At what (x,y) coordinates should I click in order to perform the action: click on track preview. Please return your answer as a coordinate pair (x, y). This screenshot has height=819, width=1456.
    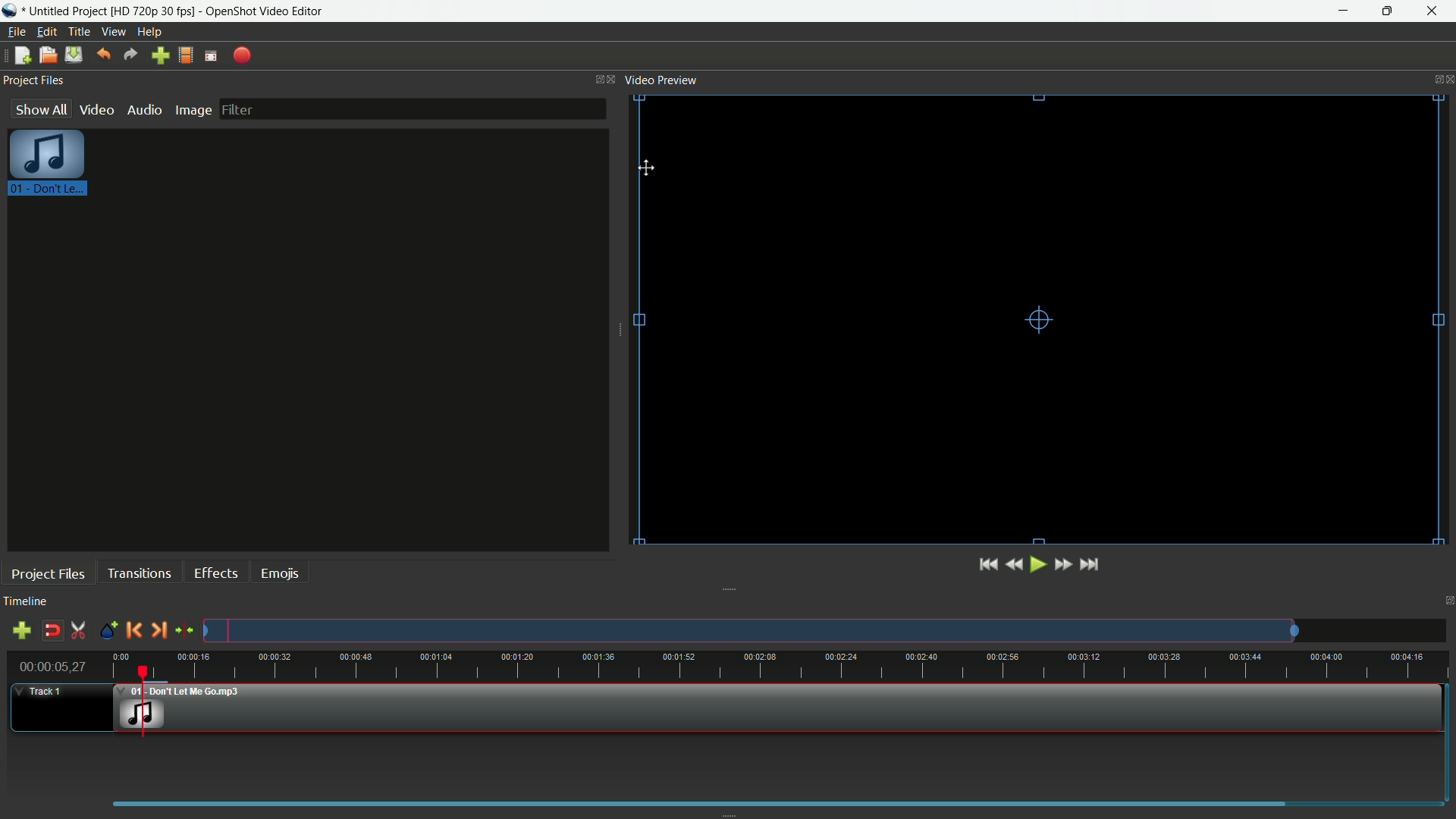
    Looking at the image, I should click on (748, 631).